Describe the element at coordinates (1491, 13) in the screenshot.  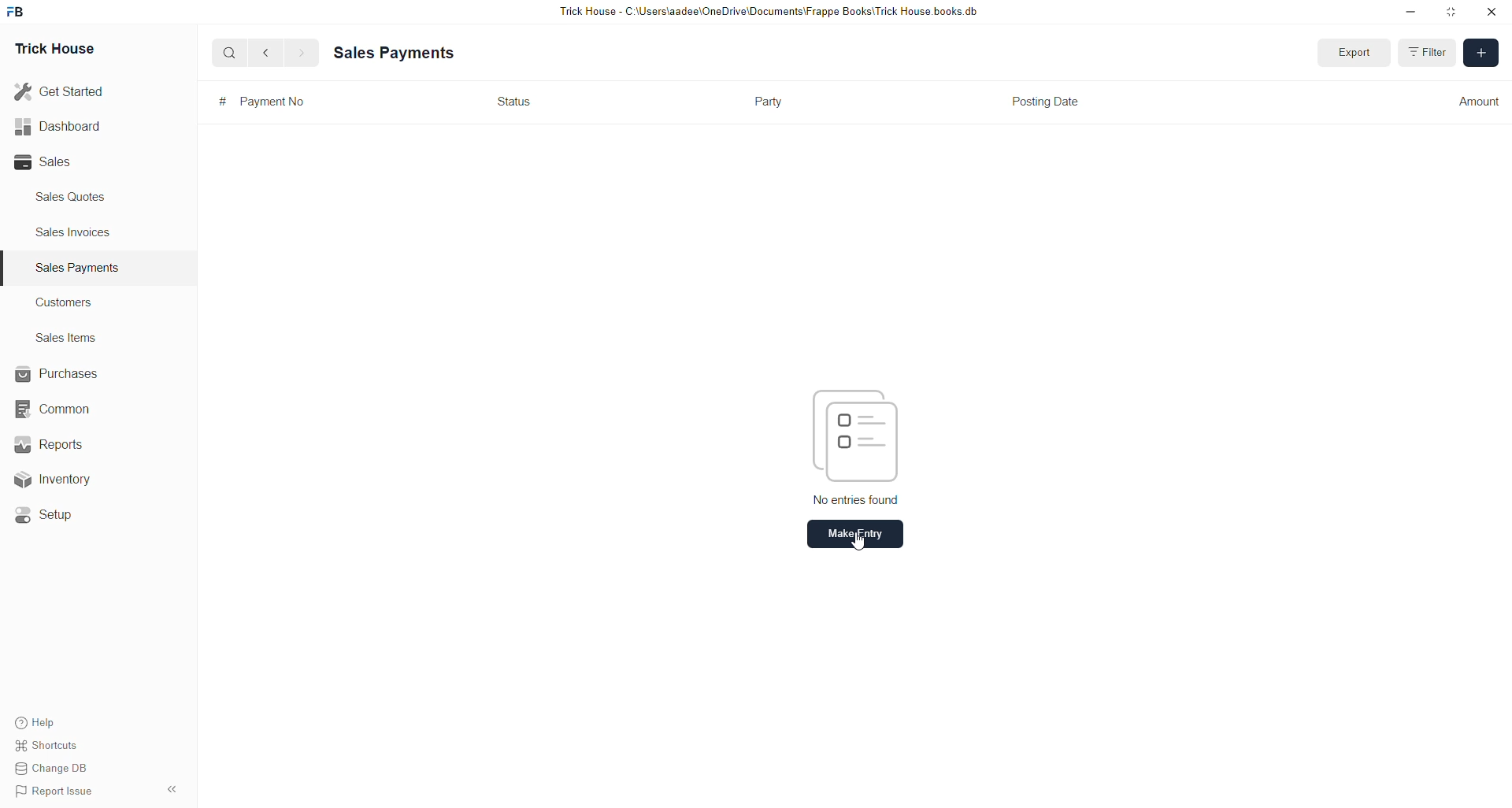
I see `Close` at that location.